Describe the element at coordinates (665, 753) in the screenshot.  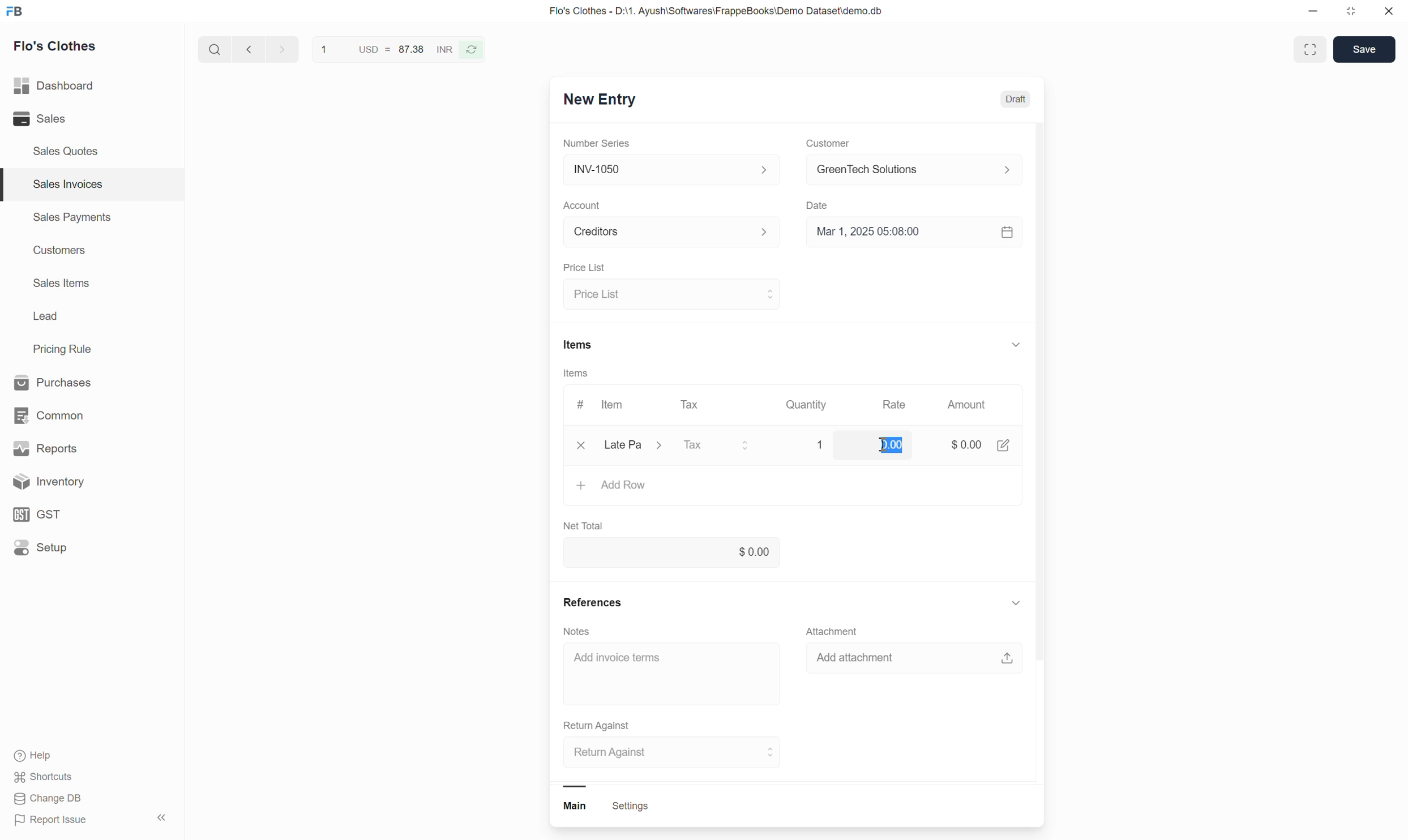
I see `select return against ` at that location.